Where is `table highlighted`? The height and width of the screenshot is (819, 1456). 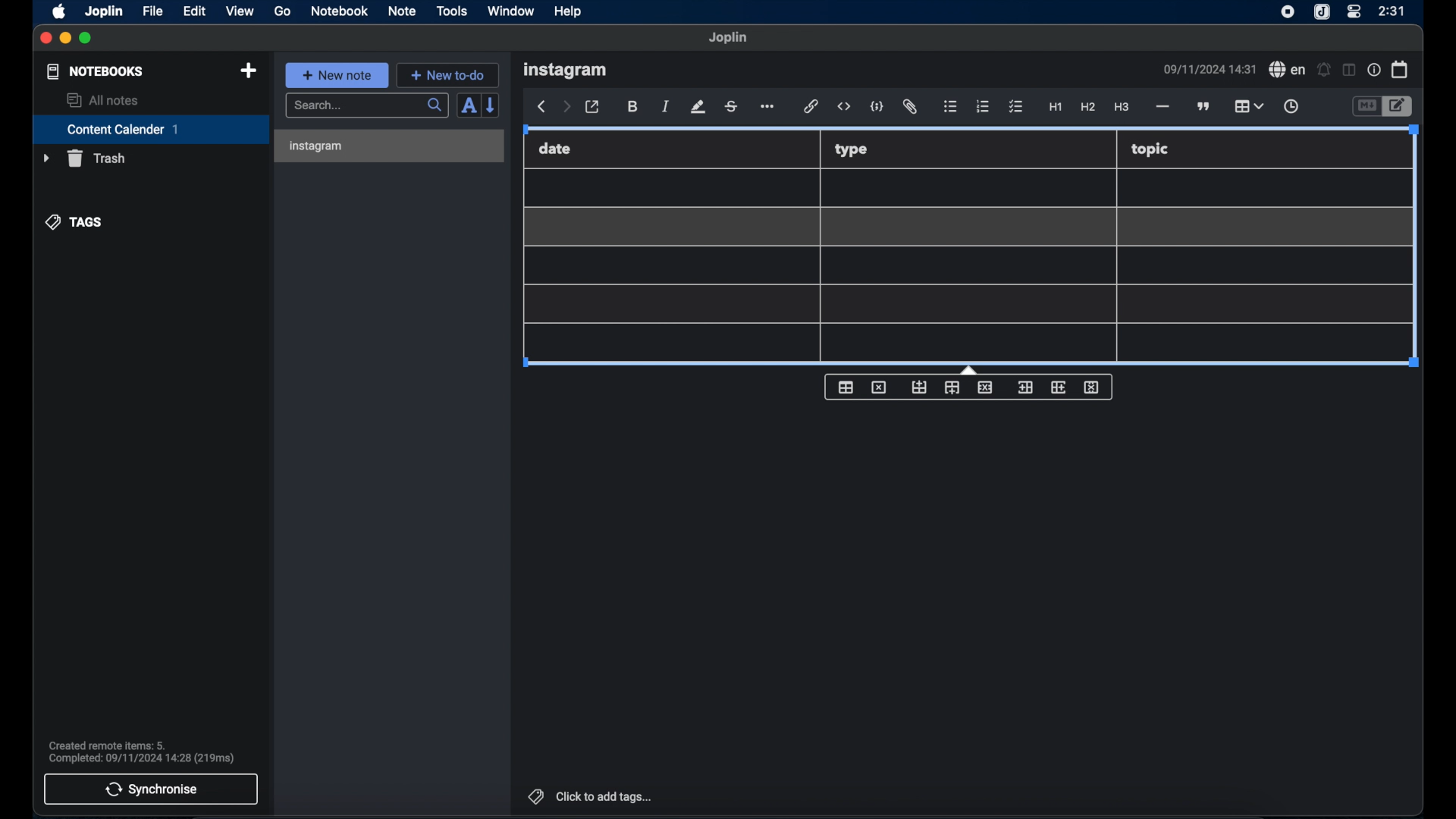 table highlighted is located at coordinates (1248, 105).